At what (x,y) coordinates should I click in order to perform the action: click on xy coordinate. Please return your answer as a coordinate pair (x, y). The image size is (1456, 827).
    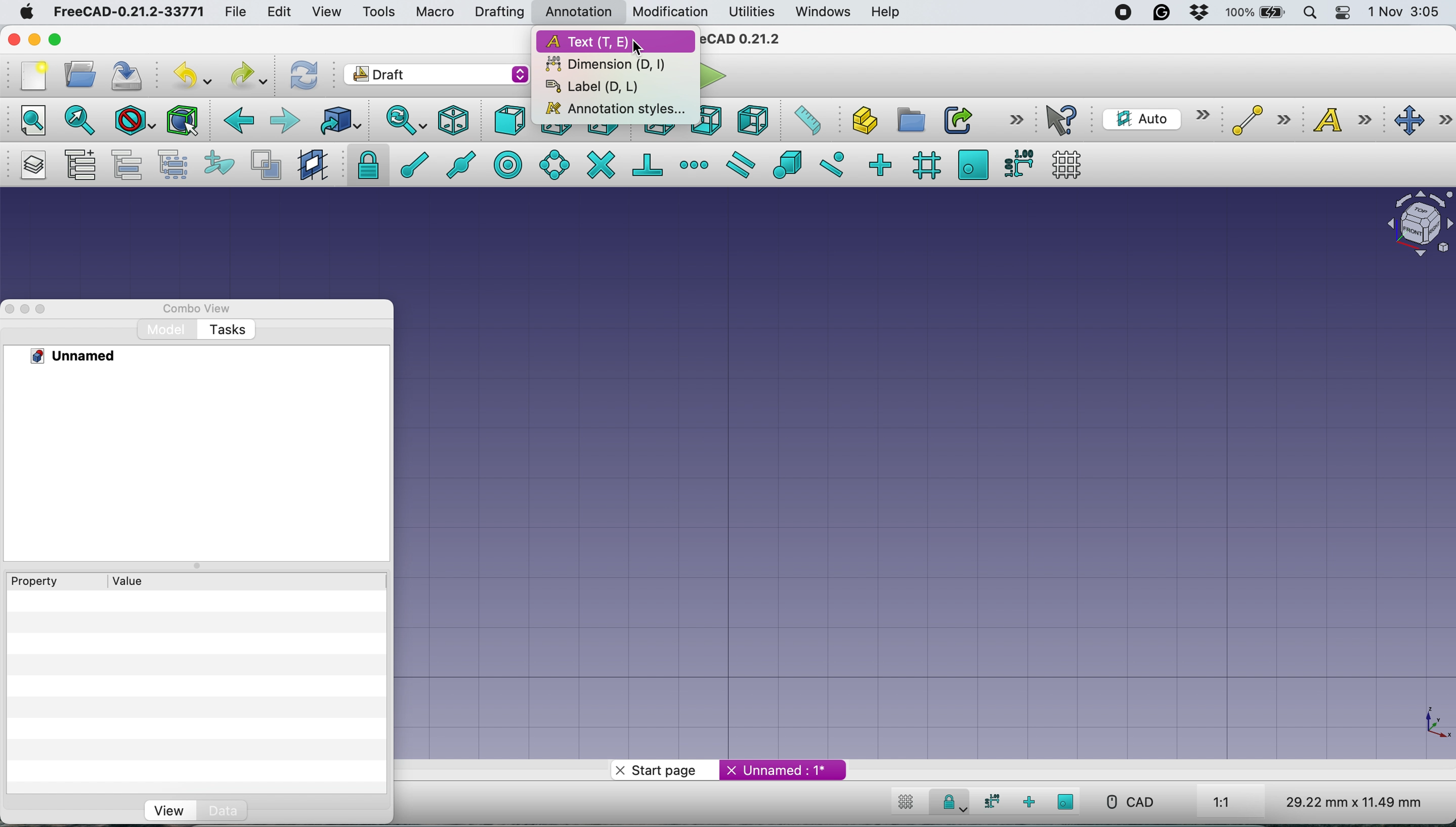
    Looking at the image, I should click on (1426, 721).